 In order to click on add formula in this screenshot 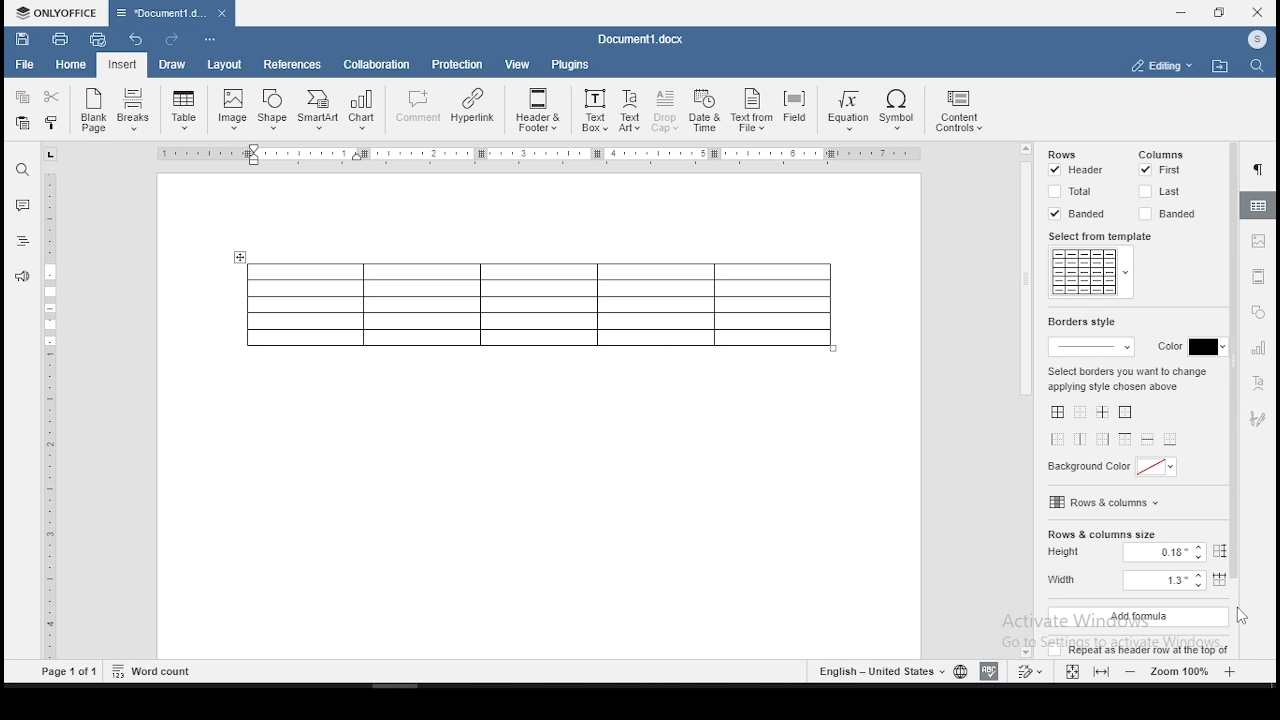, I will do `click(1137, 617)`.